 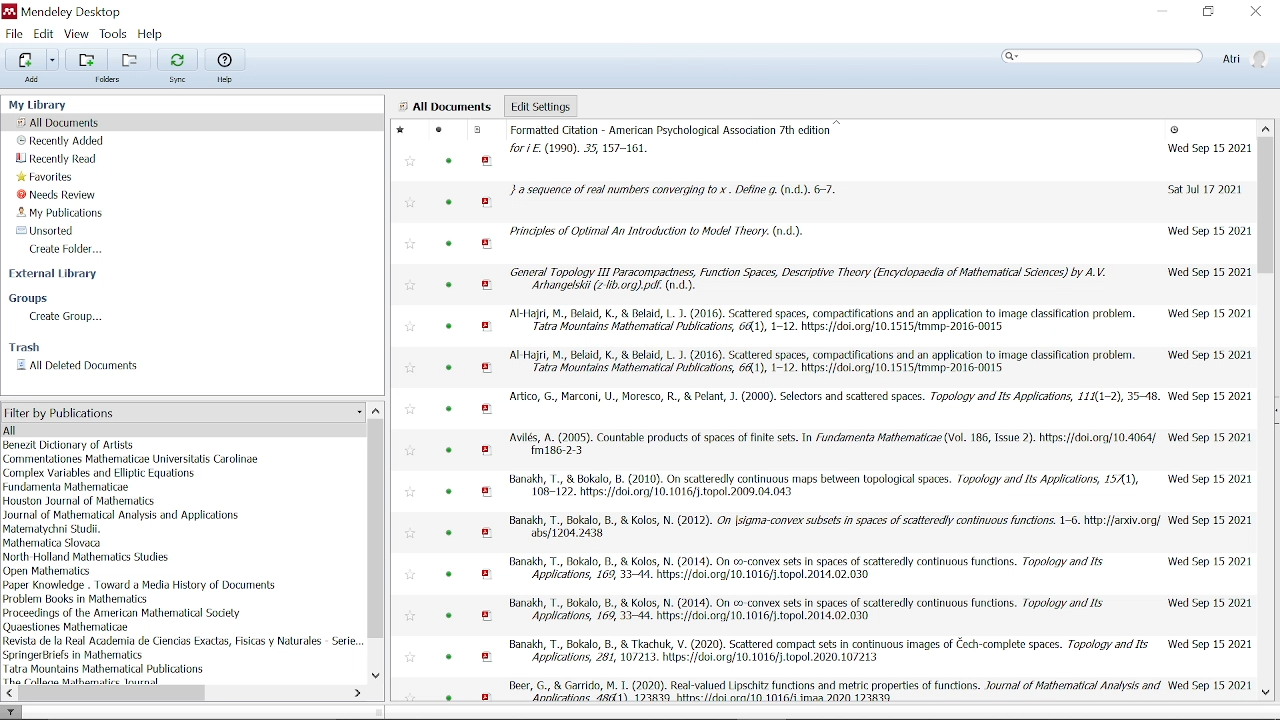 I want to click on citation, so click(x=834, y=445).